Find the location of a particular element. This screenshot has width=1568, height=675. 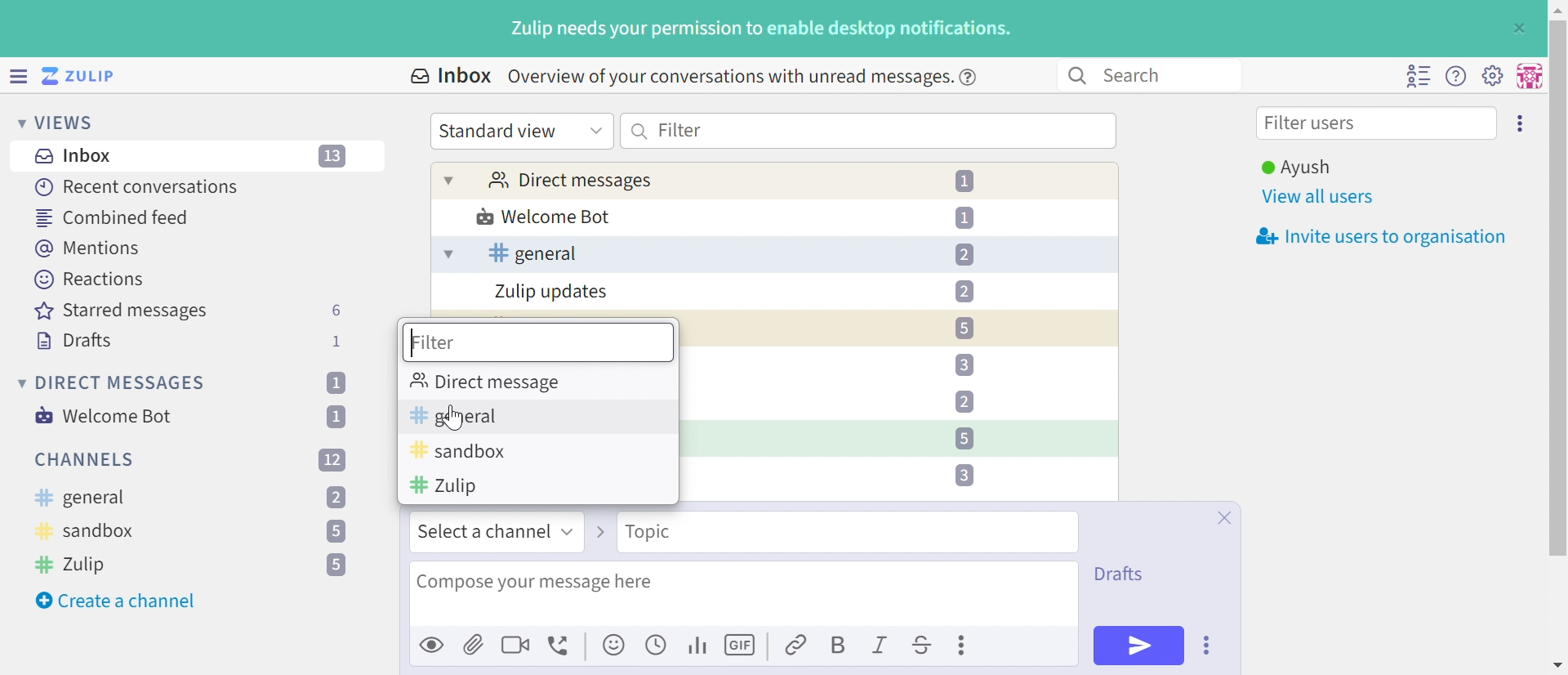

Mentions is located at coordinates (91, 248).